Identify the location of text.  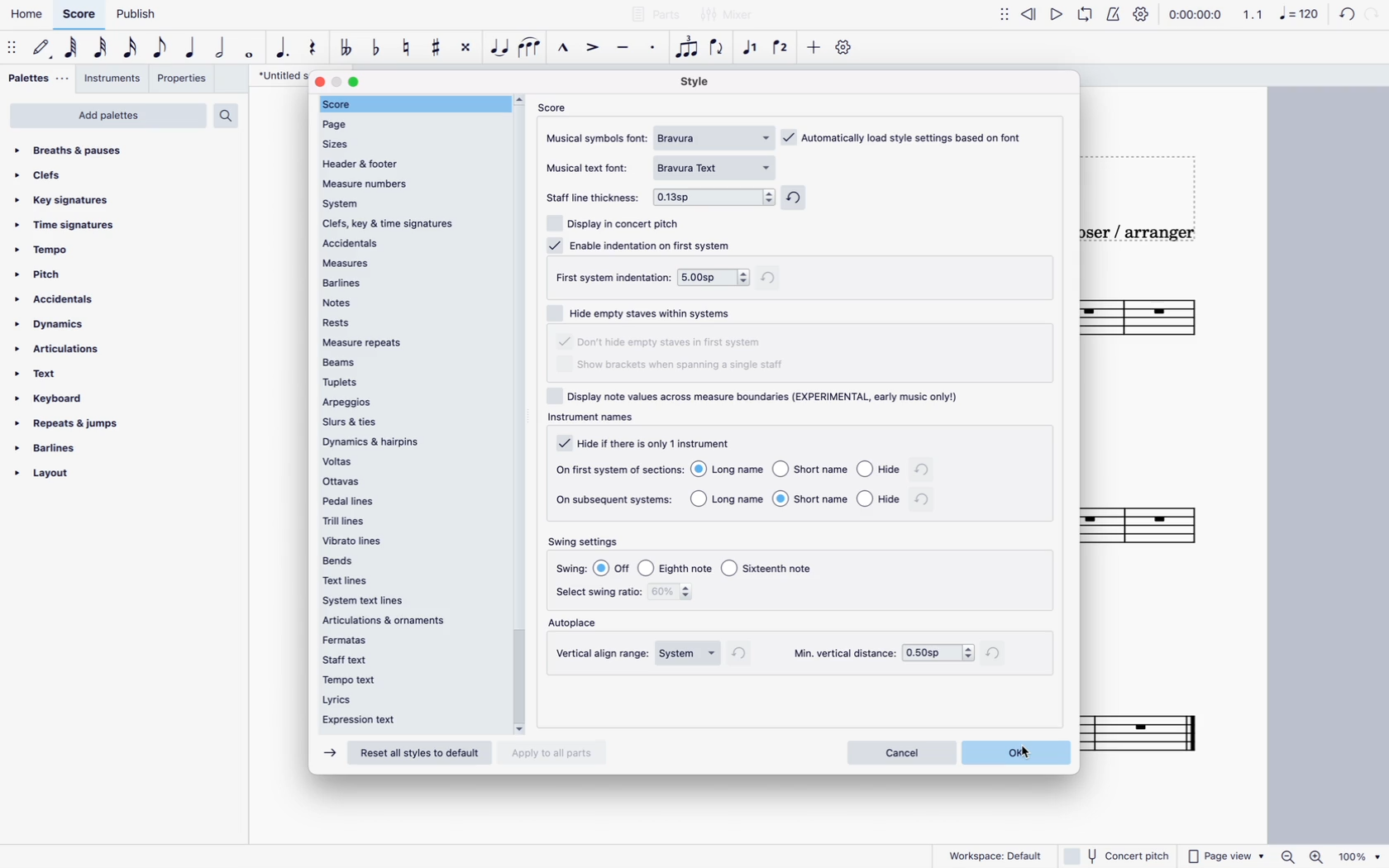
(45, 374).